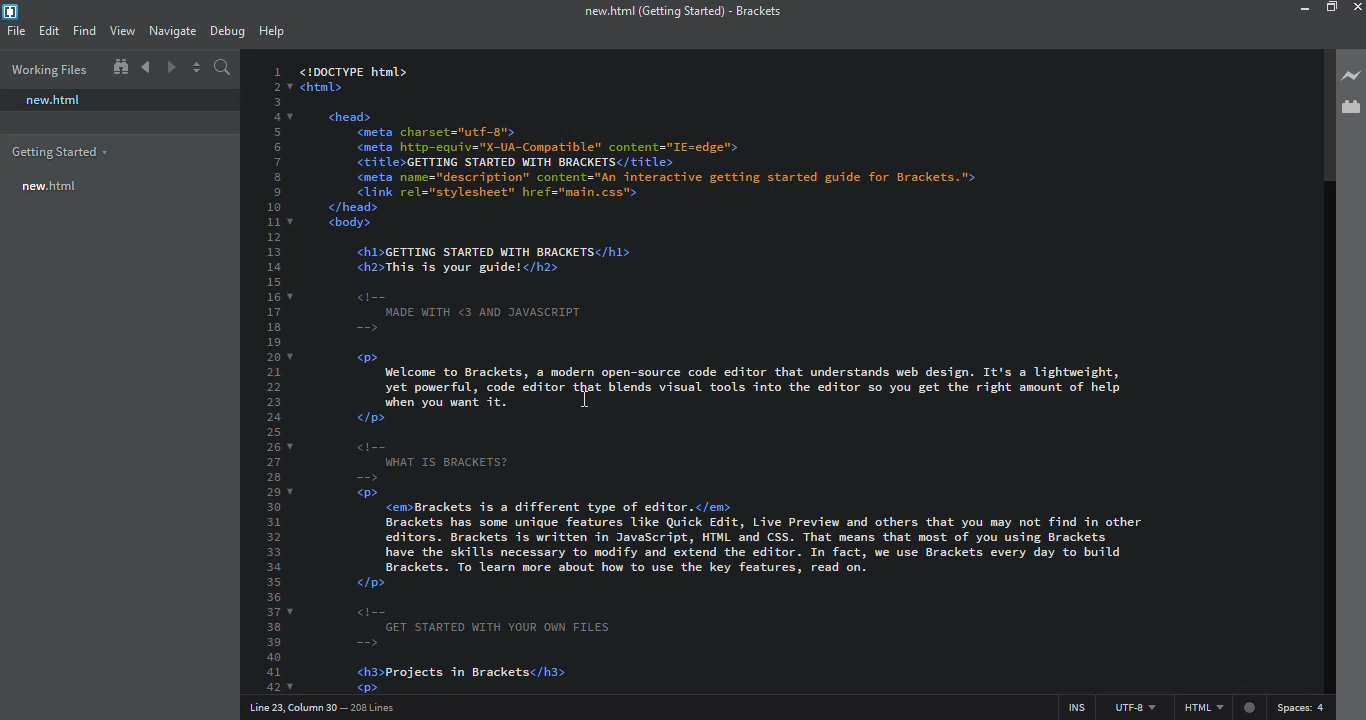  I want to click on show in file tree, so click(121, 66).